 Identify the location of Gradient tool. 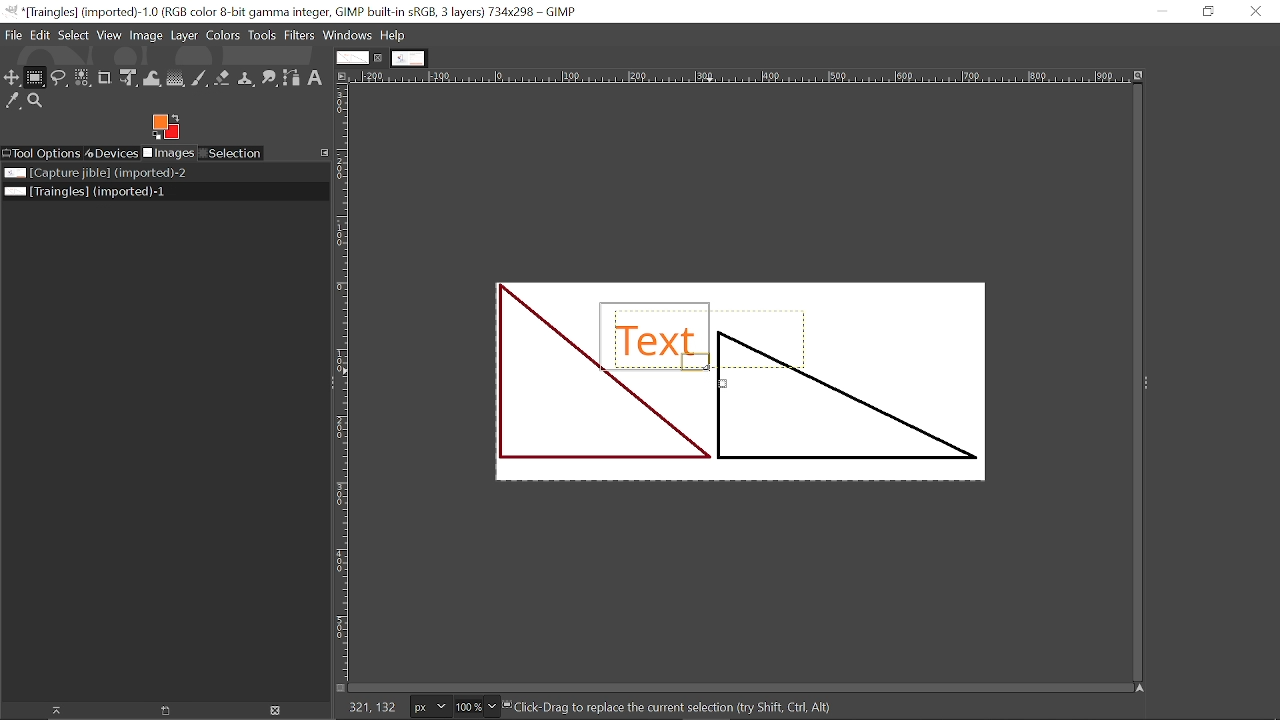
(176, 79).